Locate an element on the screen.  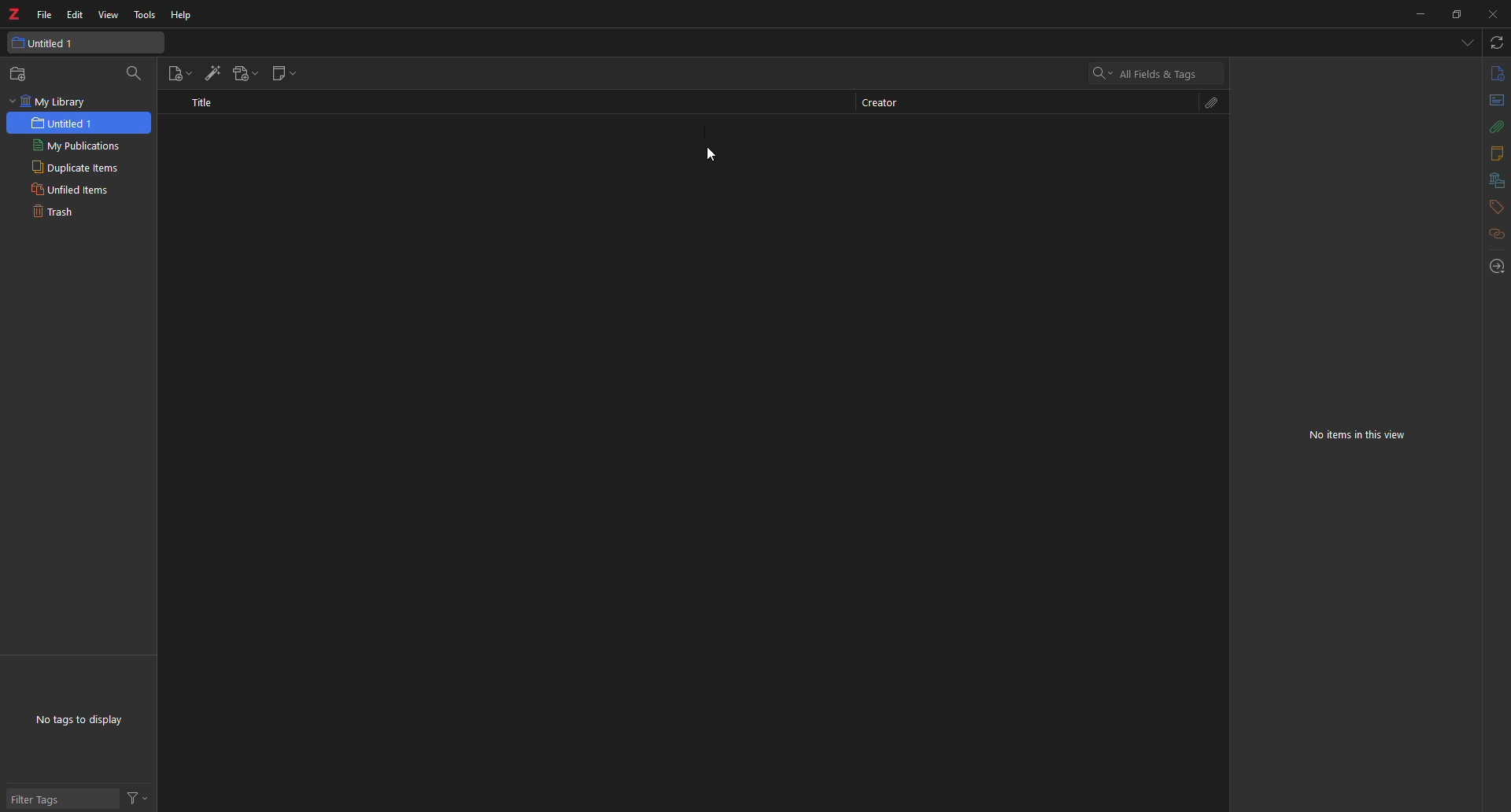
locate is located at coordinates (1496, 265).